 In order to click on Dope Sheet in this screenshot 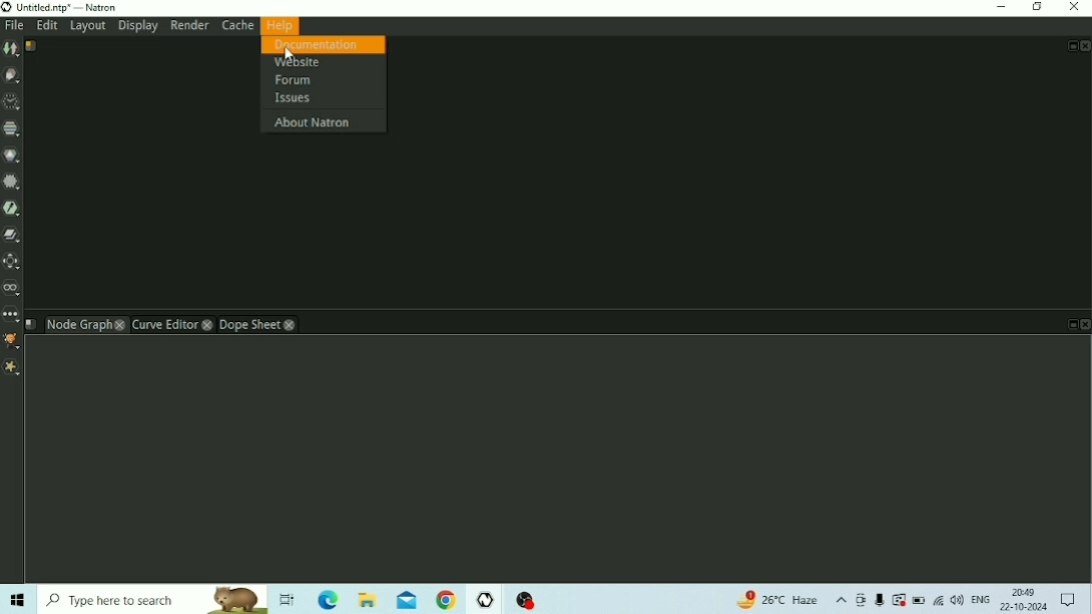, I will do `click(258, 324)`.